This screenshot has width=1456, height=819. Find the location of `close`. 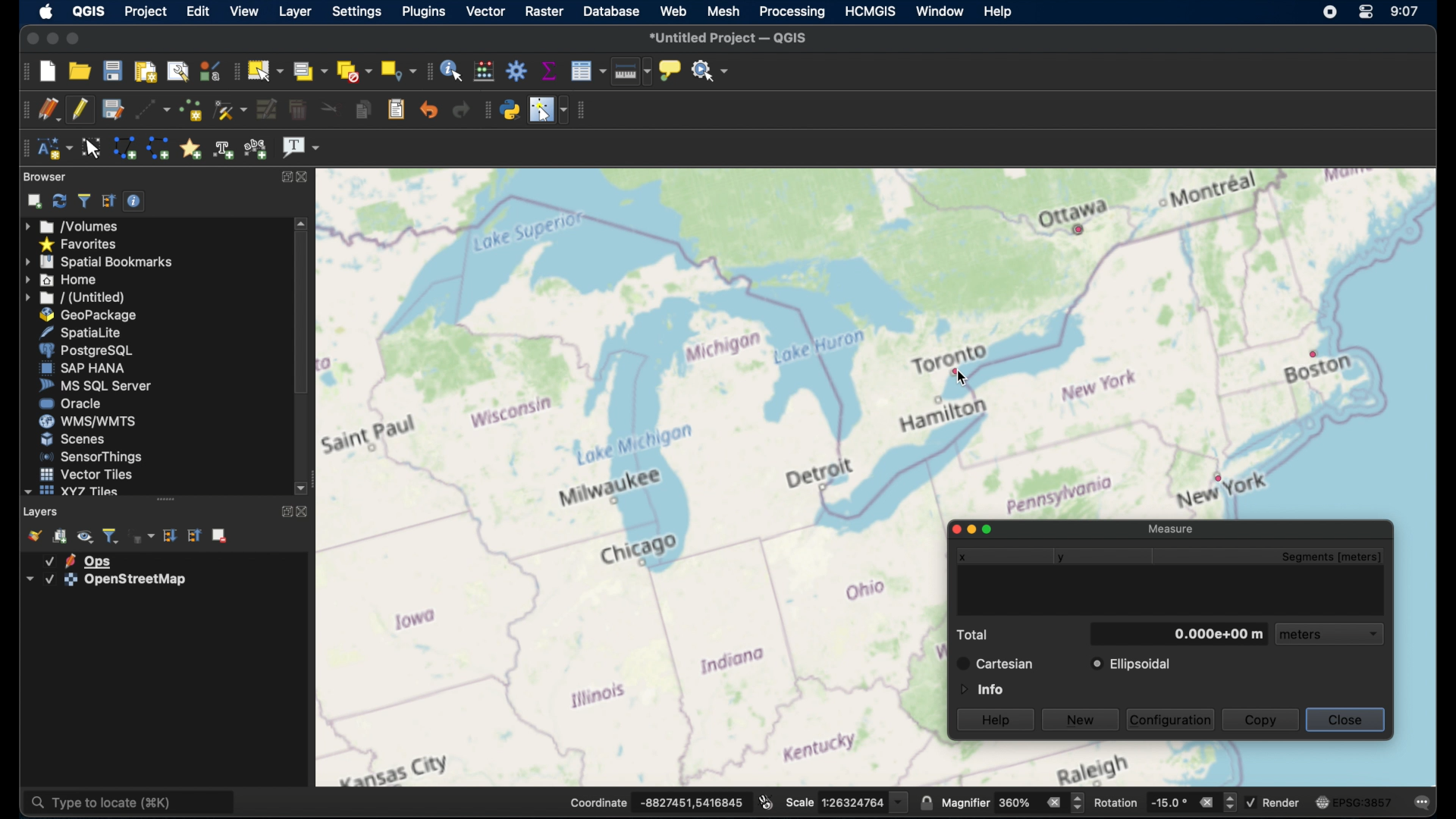

close is located at coordinates (31, 36).